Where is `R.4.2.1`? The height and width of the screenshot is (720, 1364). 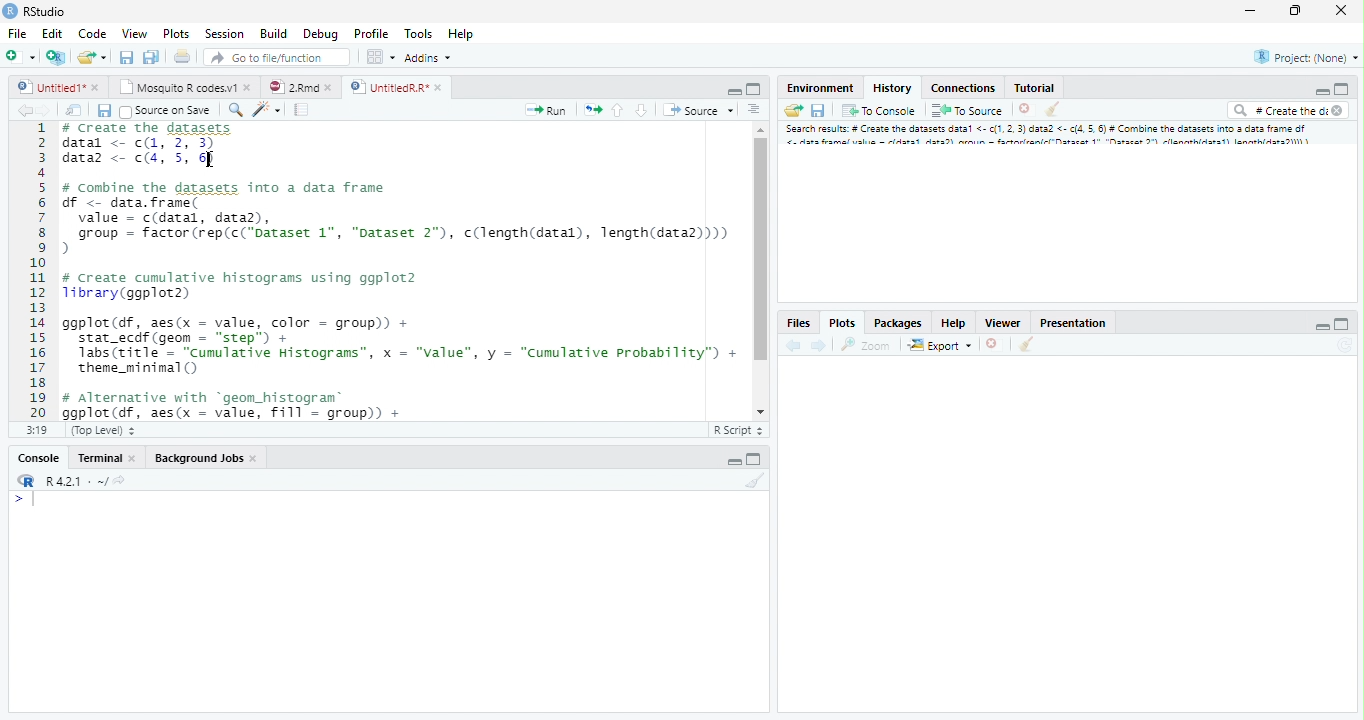
R.4.2.1 is located at coordinates (65, 481).